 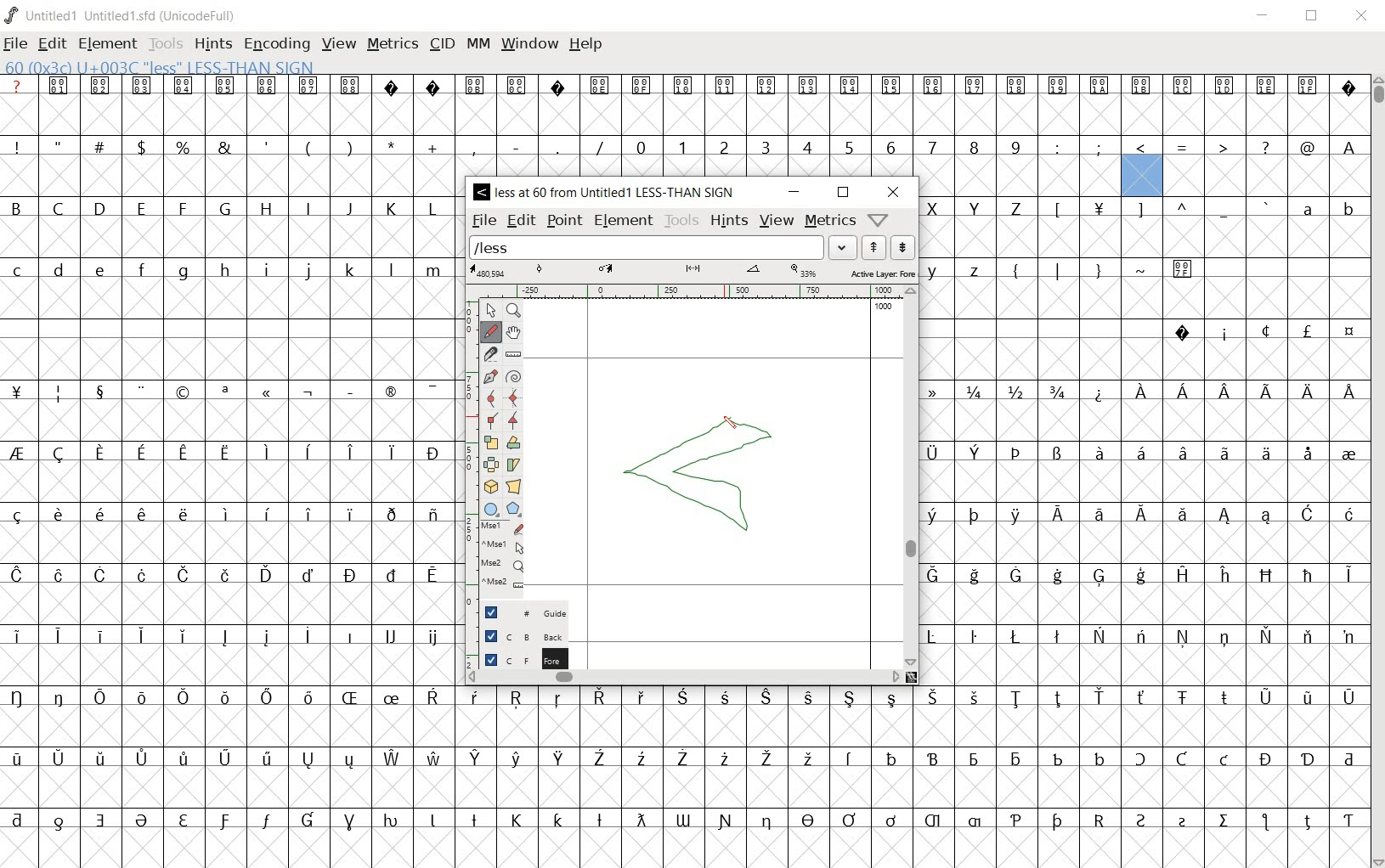 I want to click on empty cells, so click(x=228, y=604).